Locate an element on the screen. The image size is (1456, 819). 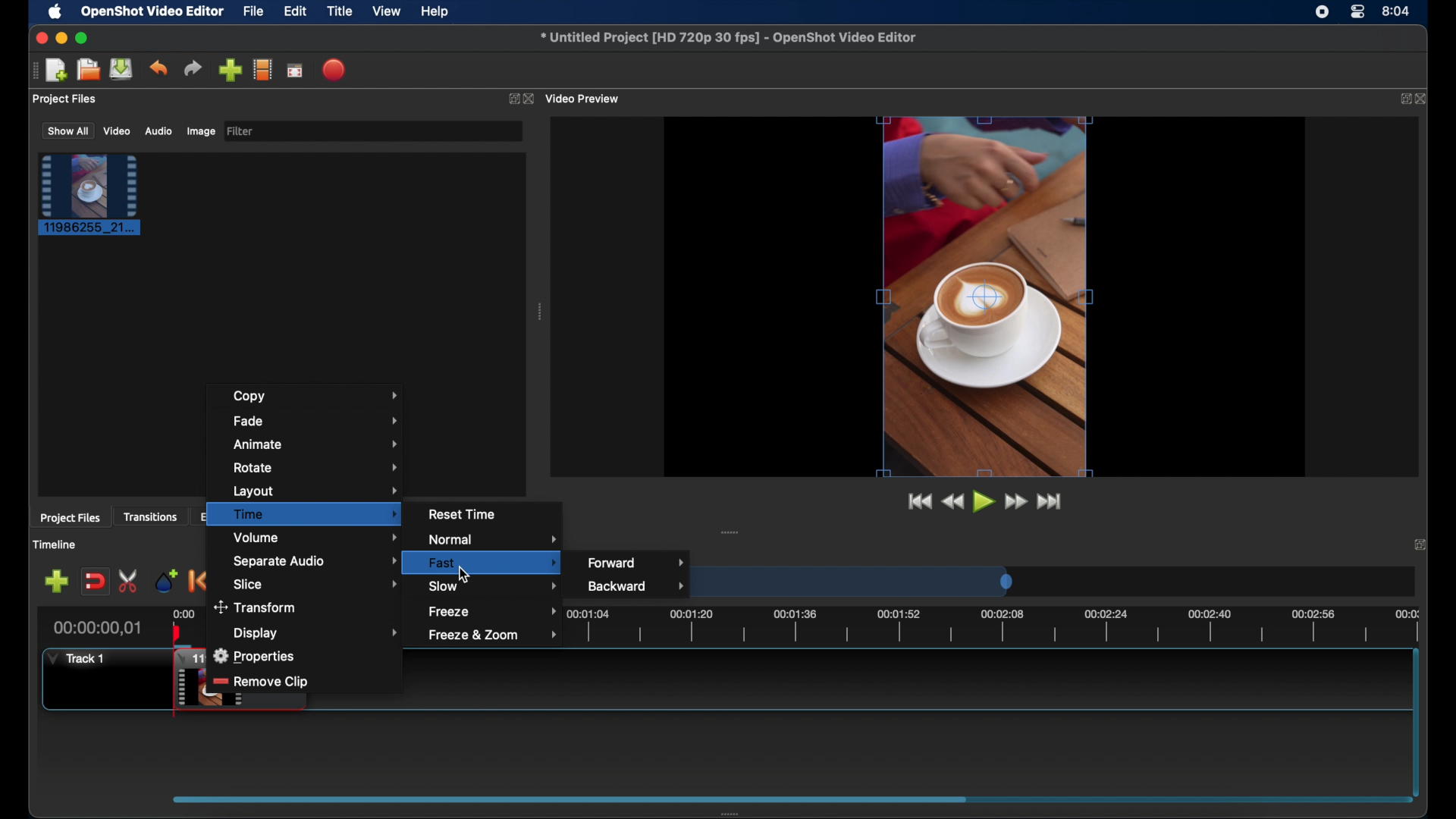
backward menu is located at coordinates (639, 585).